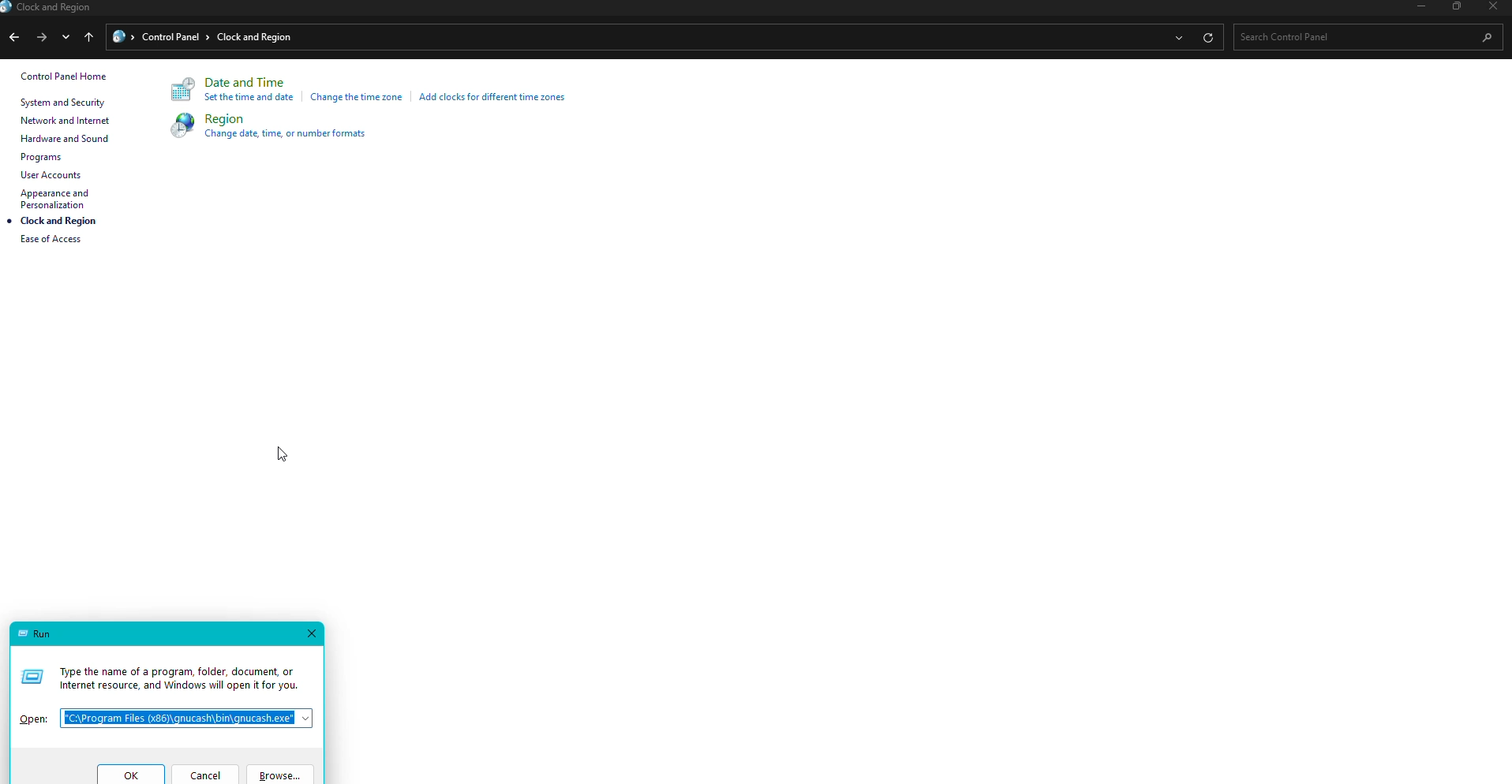 This screenshot has height=784, width=1512. I want to click on Logo, so click(177, 125).